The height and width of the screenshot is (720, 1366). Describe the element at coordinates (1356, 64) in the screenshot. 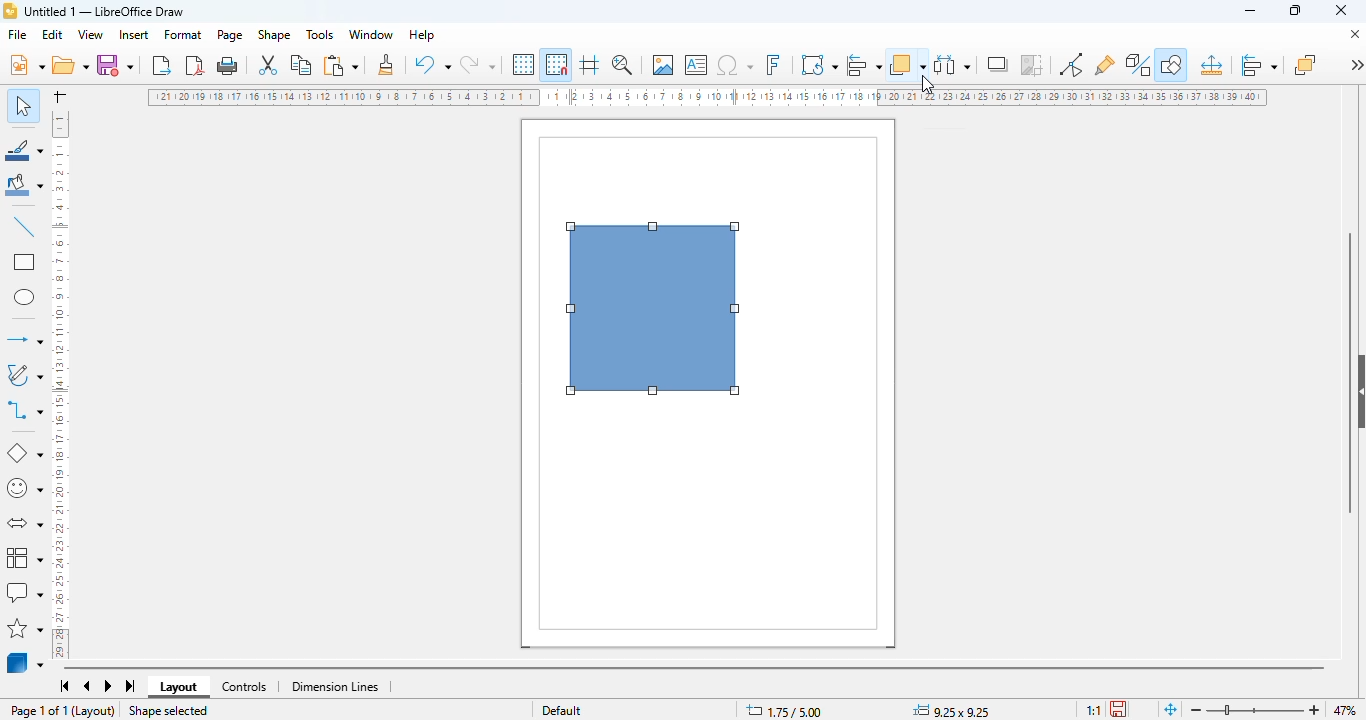

I see `more options` at that location.